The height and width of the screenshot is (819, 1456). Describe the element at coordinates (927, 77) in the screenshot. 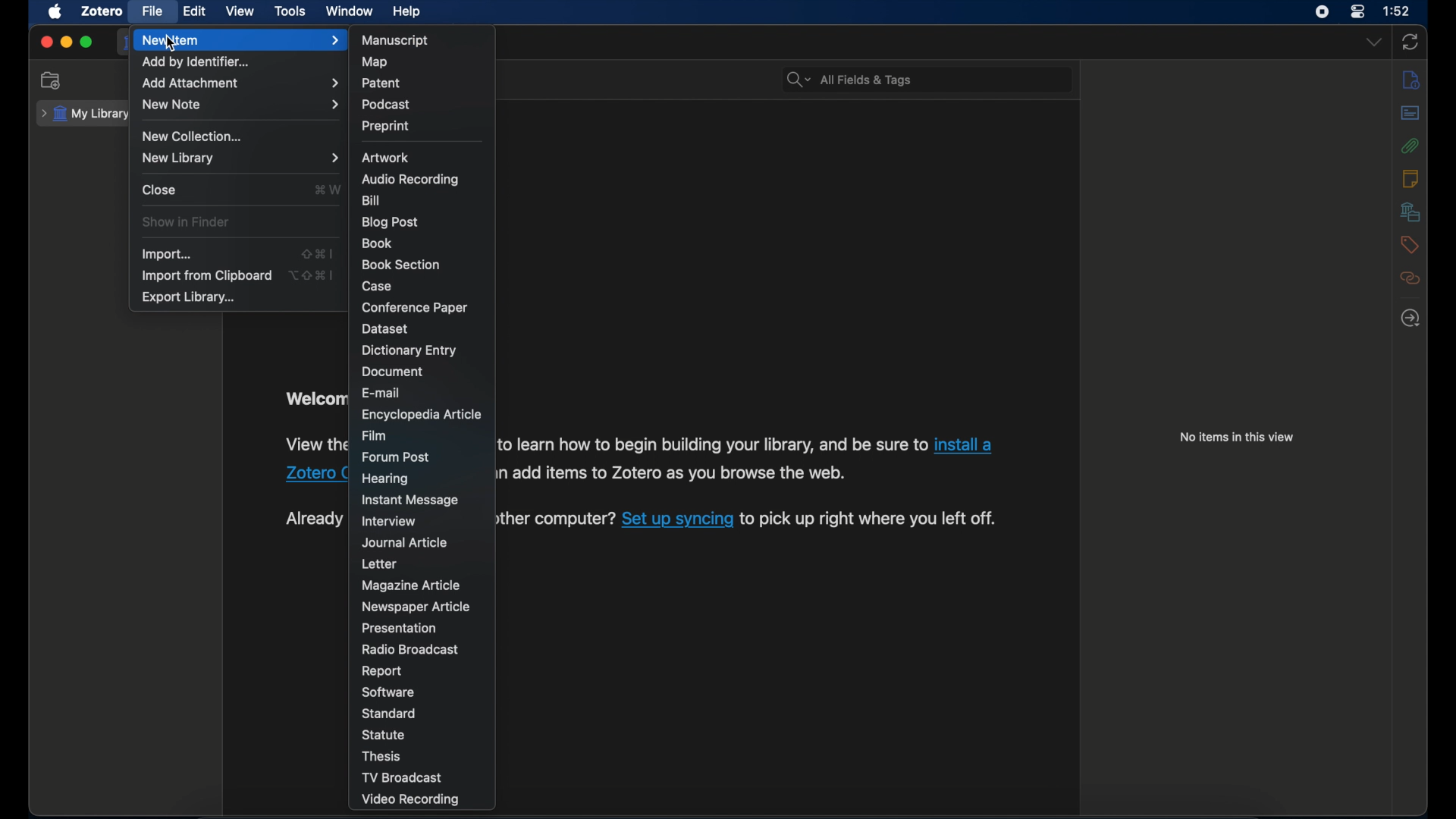

I see `All Fields & Tags` at that location.